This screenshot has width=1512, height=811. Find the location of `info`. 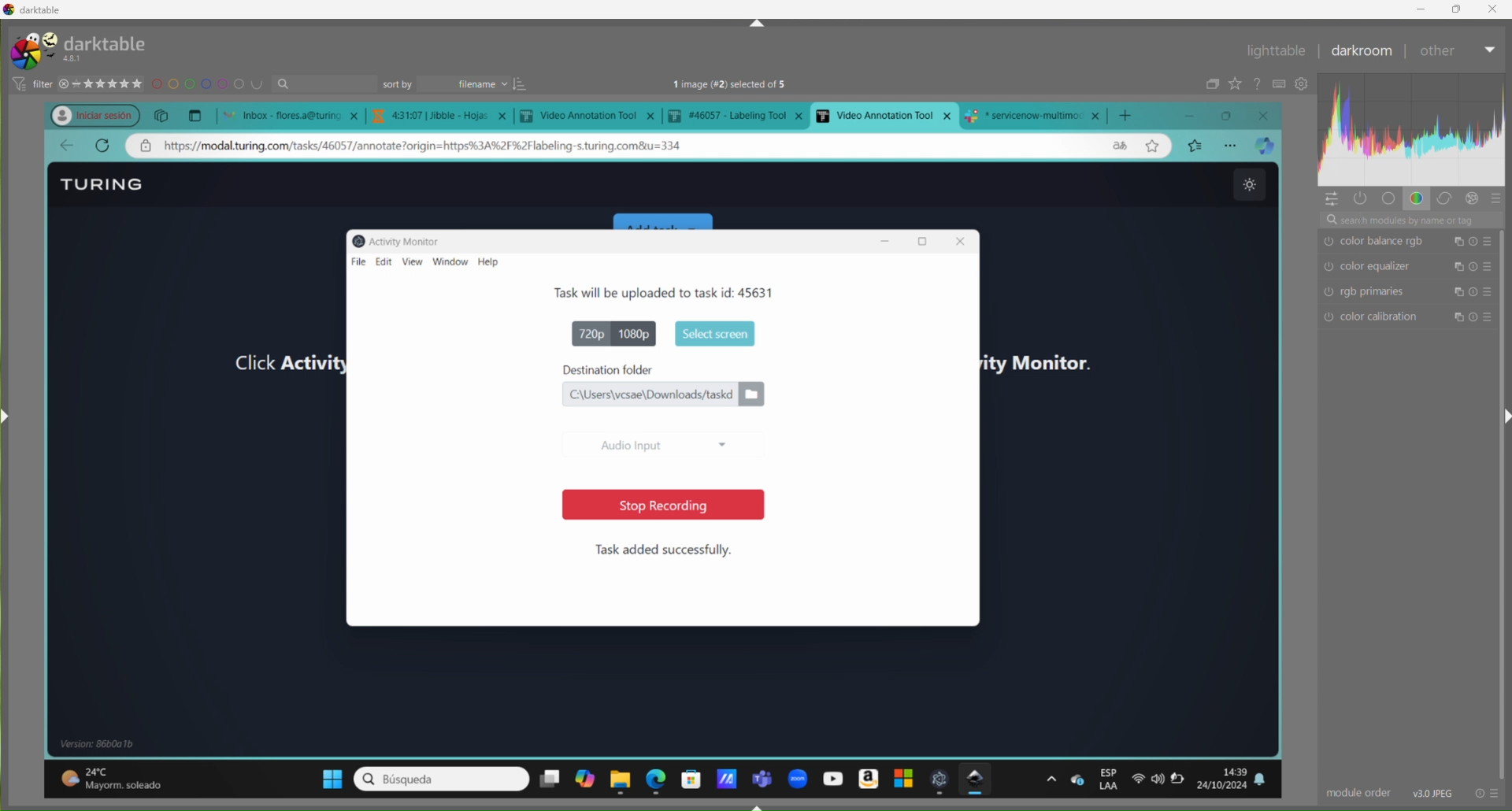

info is located at coordinates (1488, 792).